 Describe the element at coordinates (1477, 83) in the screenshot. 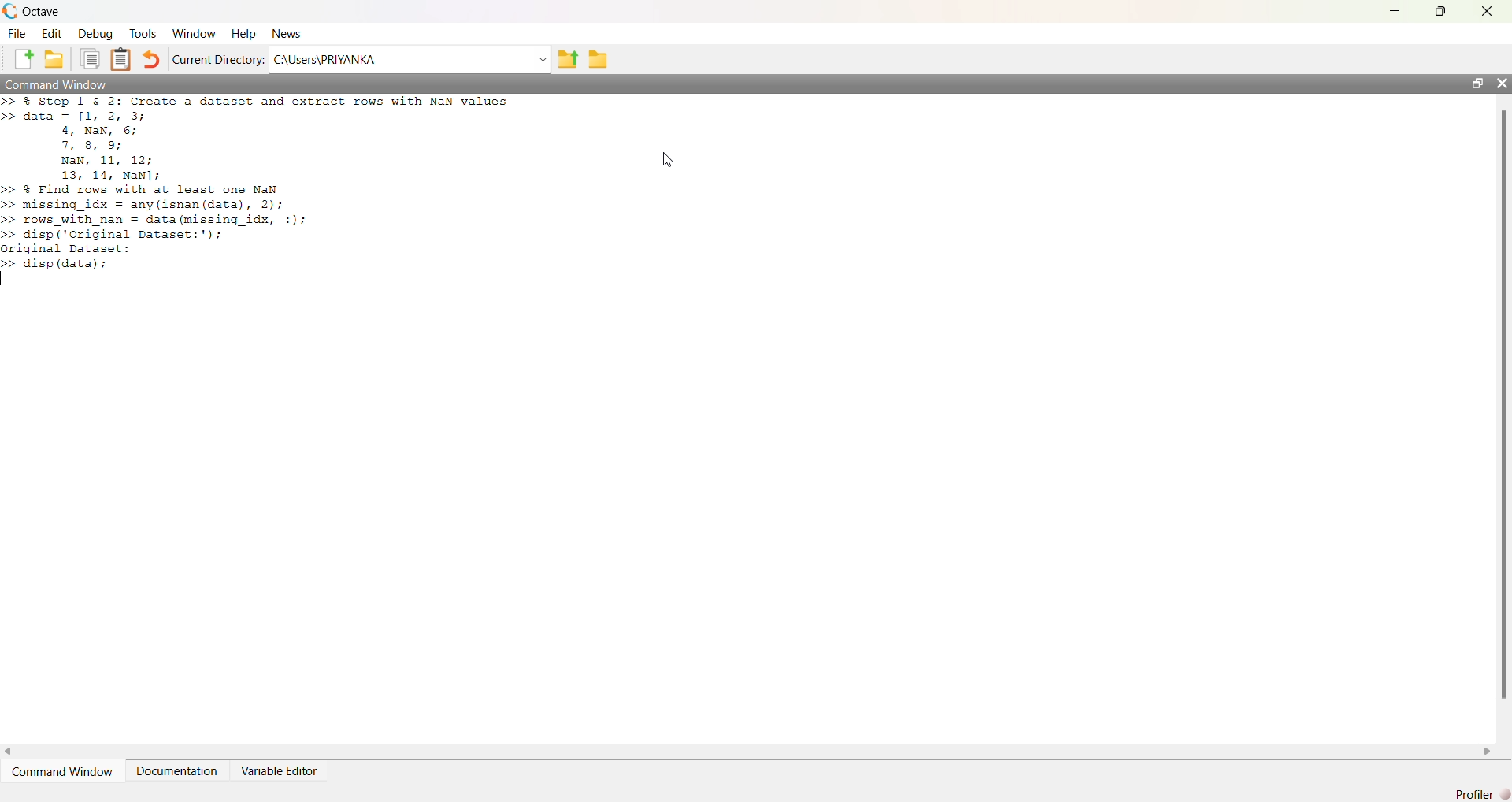

I see `maximize` at that location.